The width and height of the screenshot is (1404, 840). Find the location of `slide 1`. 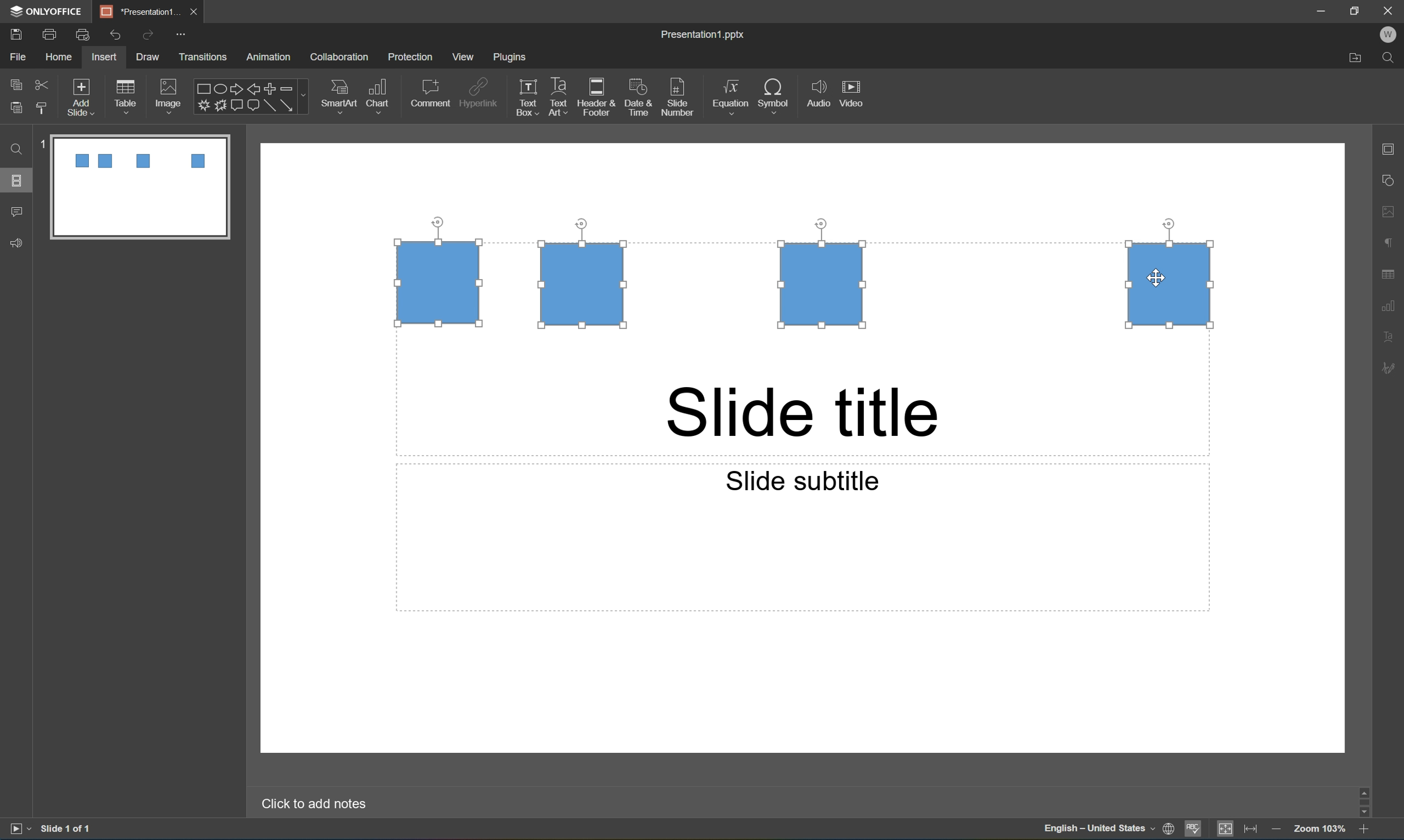

slide 1 is located at coordinates (132, 186).